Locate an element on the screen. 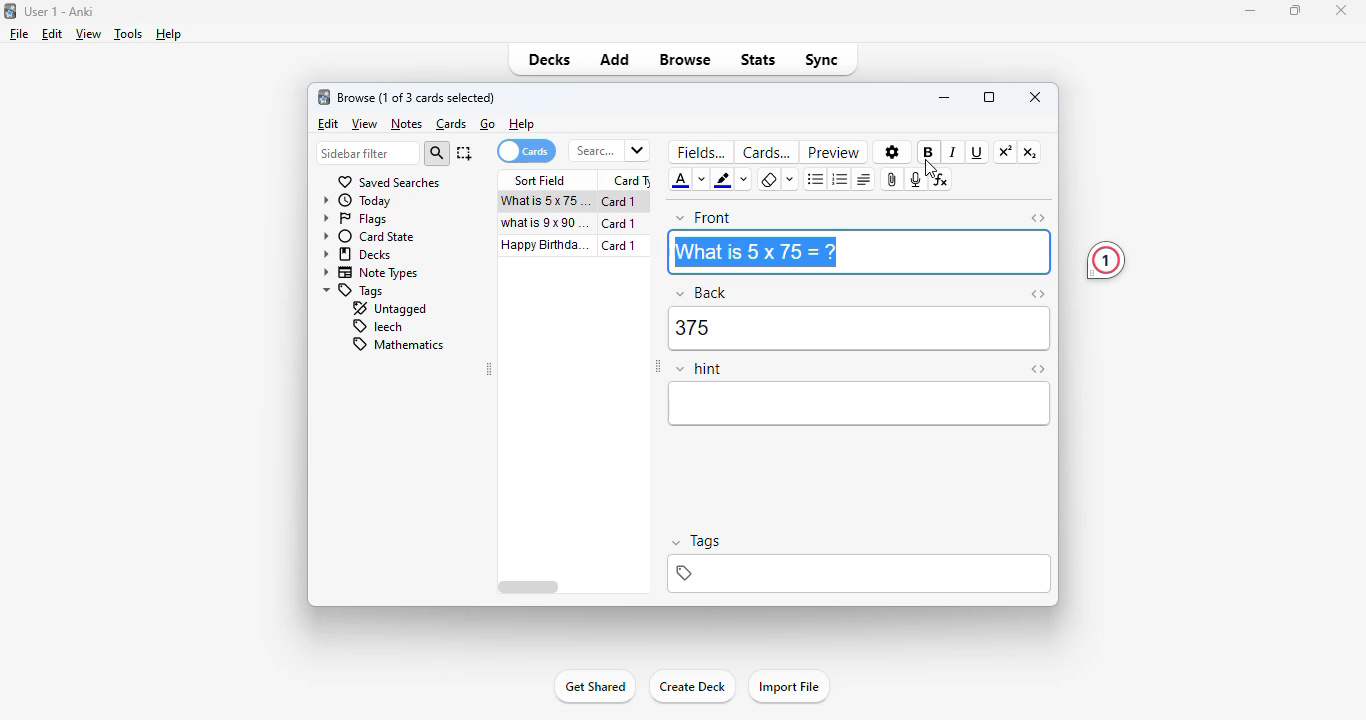  sync is located at coordinates (820, 62).